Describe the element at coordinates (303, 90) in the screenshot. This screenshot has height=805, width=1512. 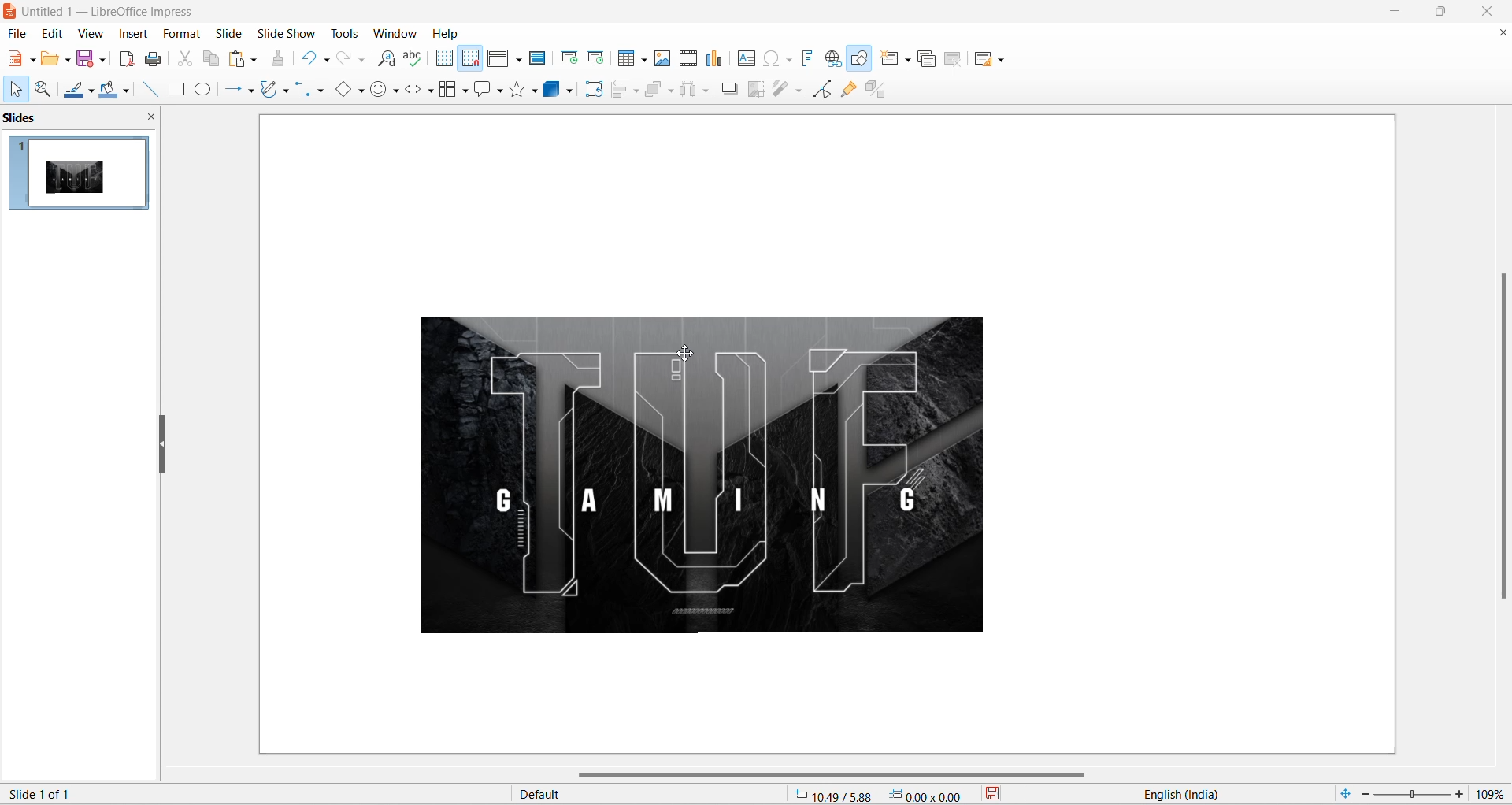
I see `connectors` at that location.